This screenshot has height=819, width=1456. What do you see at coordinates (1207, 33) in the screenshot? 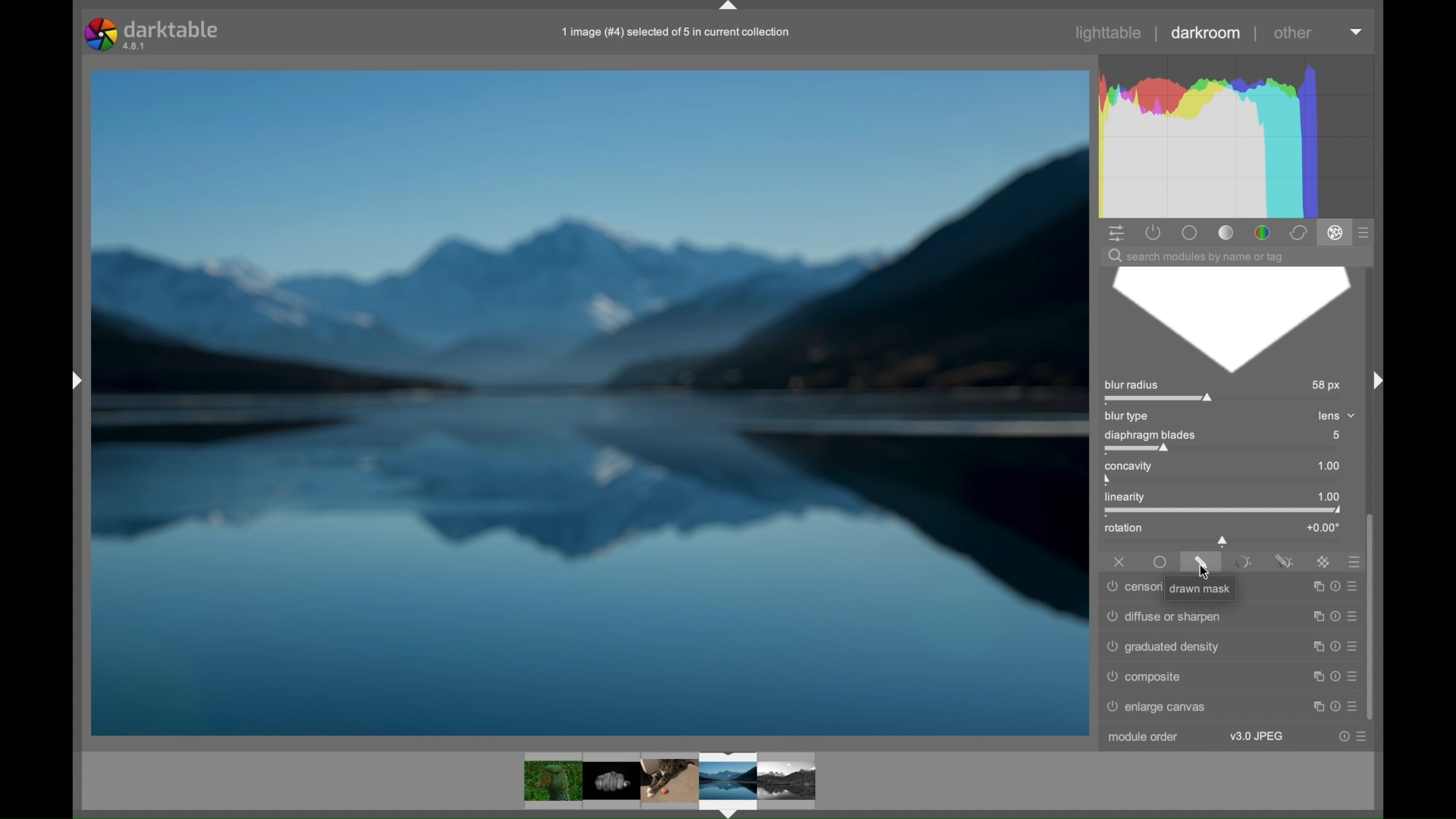
I see `darkroom` at bounding box center [1207, 33].